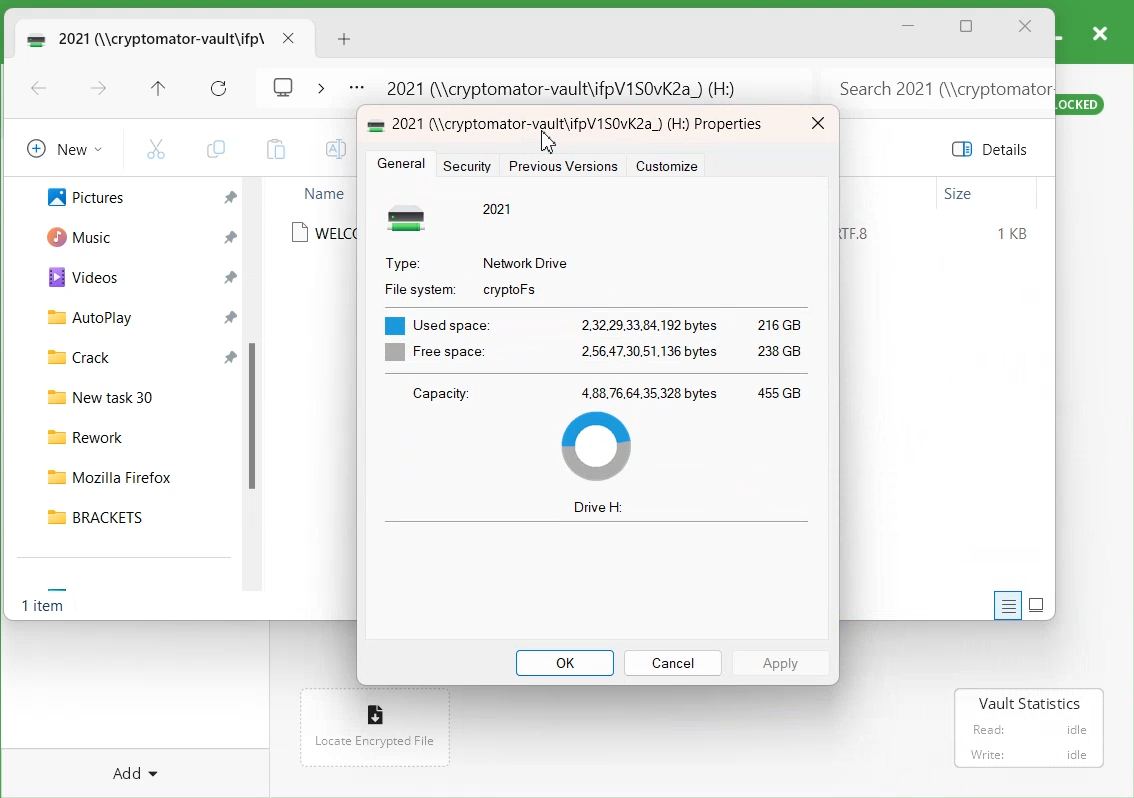  I want to click on Drop down box, so click(320, 86).